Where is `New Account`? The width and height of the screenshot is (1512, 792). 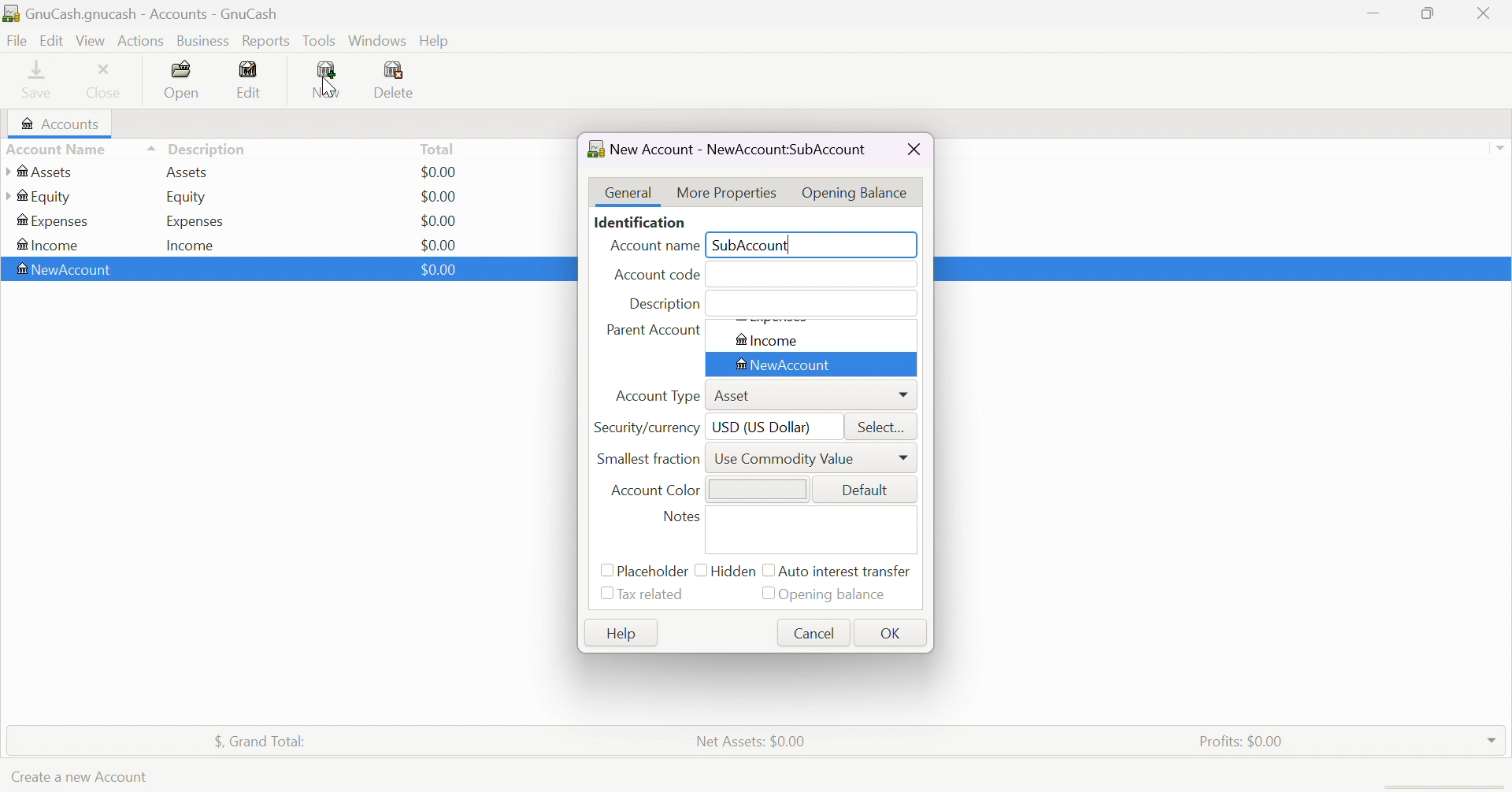 New Account is located at coordinates (786, 365).